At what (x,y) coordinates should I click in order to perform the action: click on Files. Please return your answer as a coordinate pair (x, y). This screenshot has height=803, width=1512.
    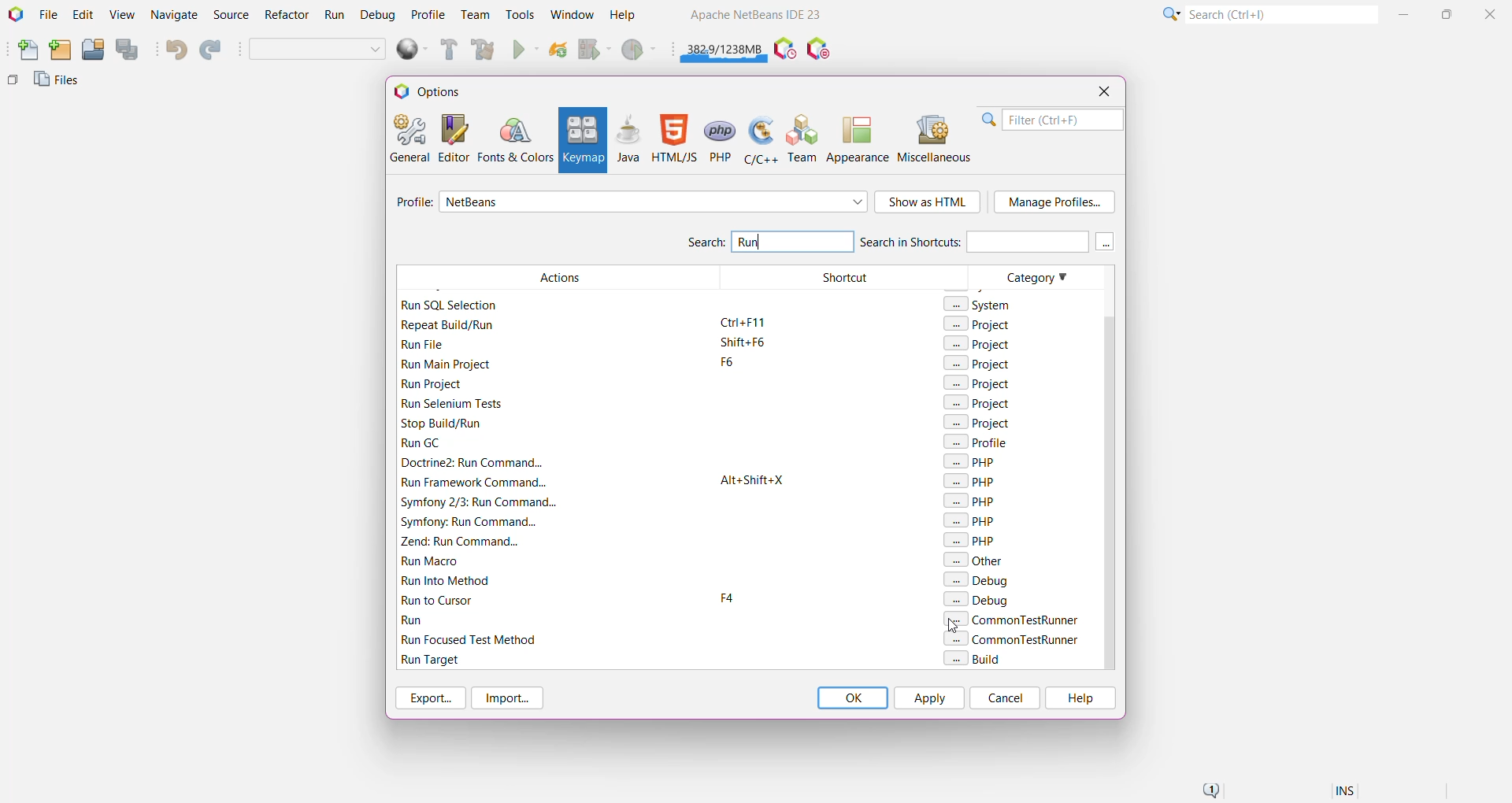
    Looking at the image, I should click on (59, 83).